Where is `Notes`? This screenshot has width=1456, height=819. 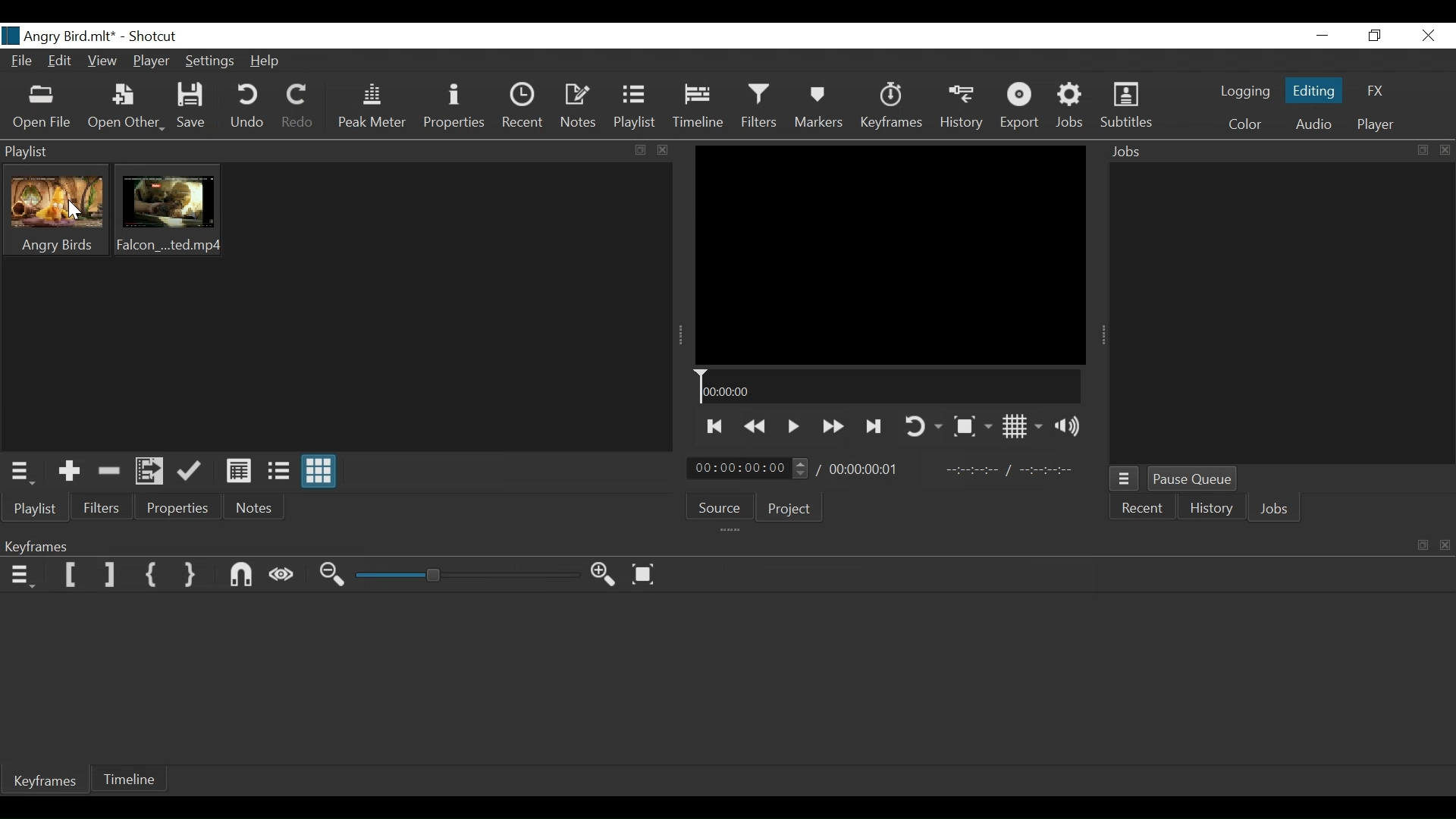
Notes is located at coordinates (579, 108).